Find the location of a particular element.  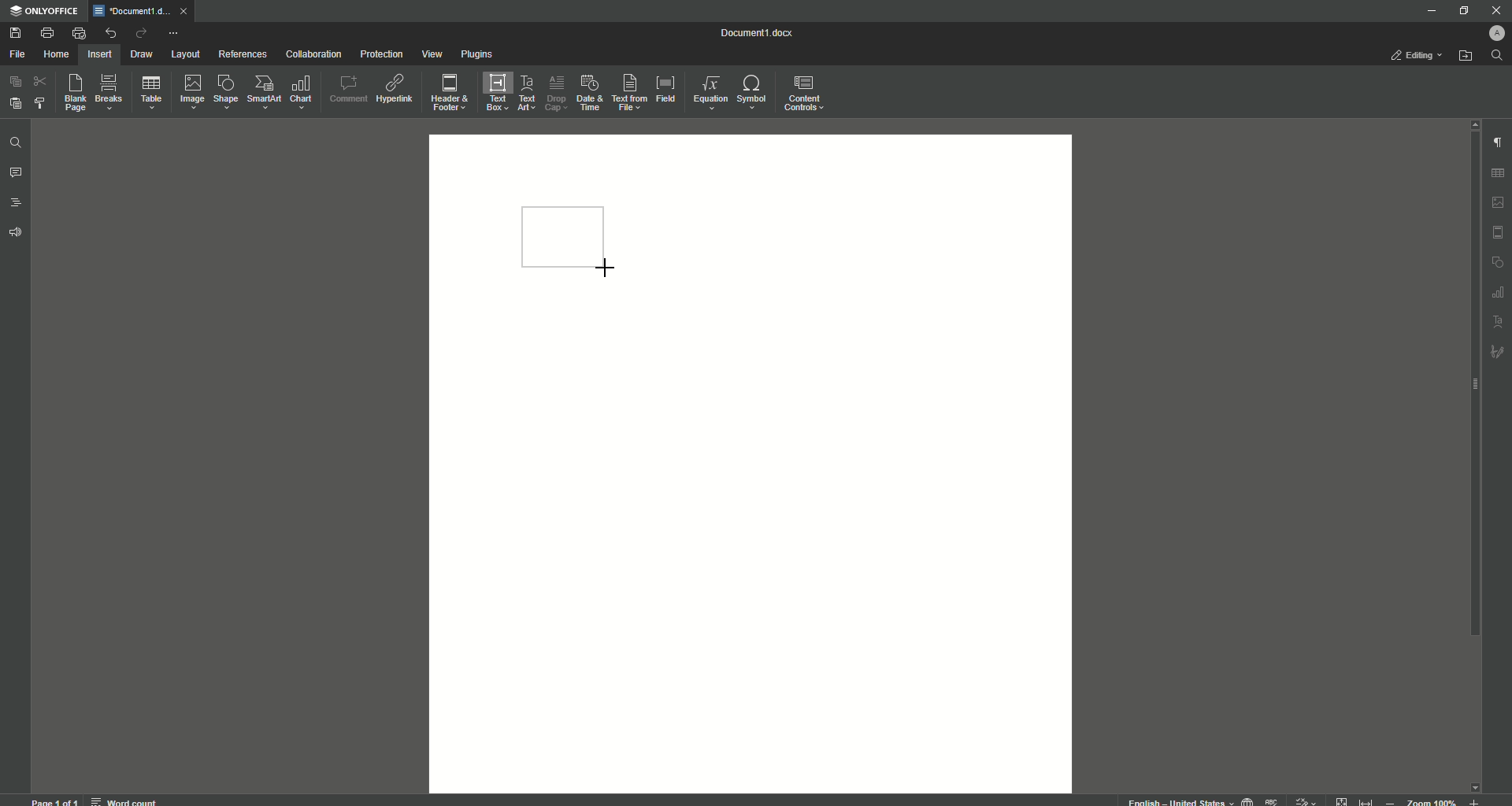

table is located at coordinates (1496, 293).